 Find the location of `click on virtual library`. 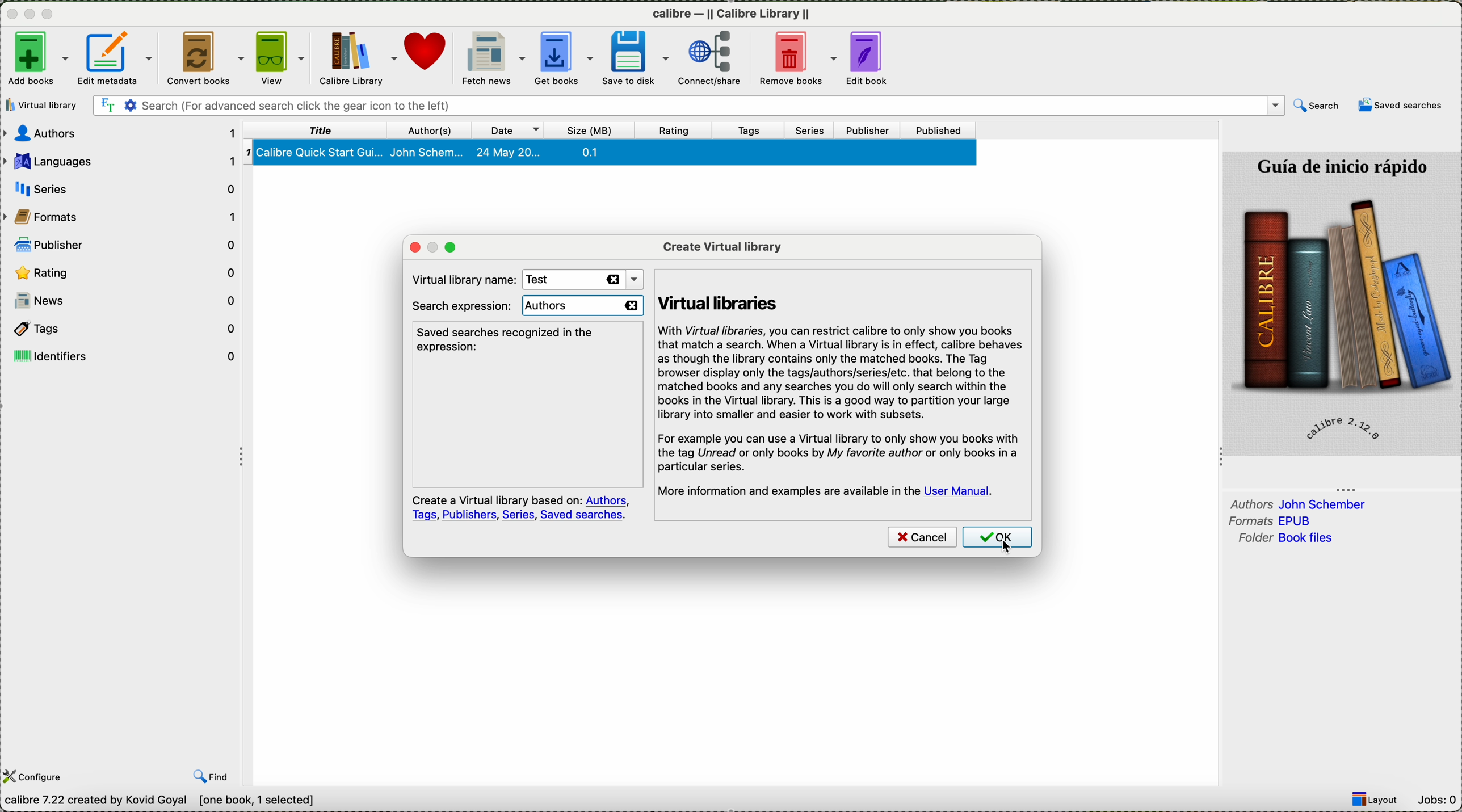

click on virtual library is located at coordinates (44, 105).